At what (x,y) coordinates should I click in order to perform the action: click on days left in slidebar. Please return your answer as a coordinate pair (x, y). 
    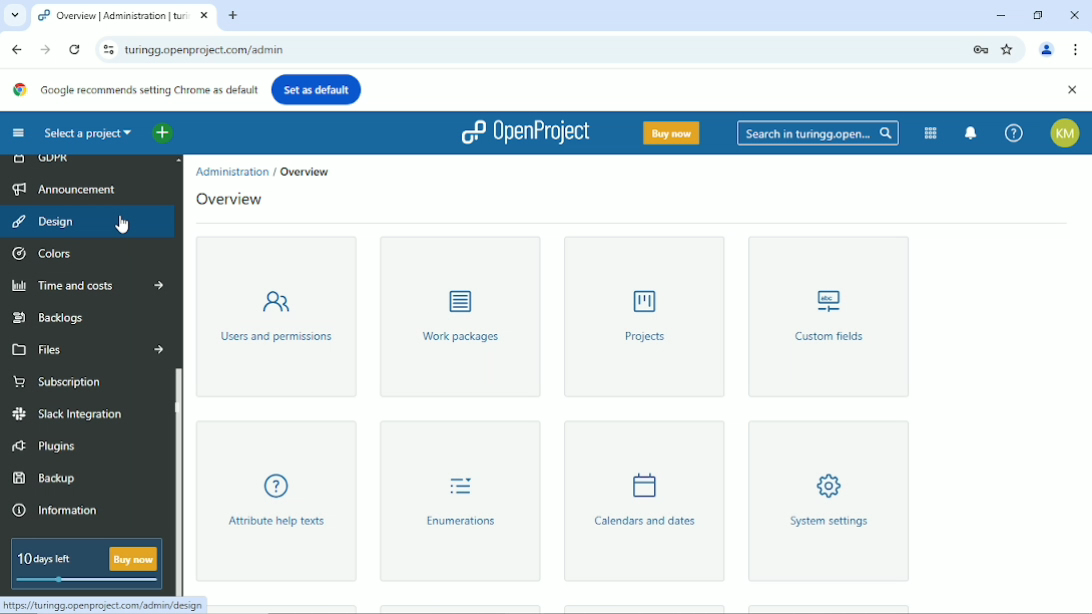
    Looking at the image, I should click on (87, 580).